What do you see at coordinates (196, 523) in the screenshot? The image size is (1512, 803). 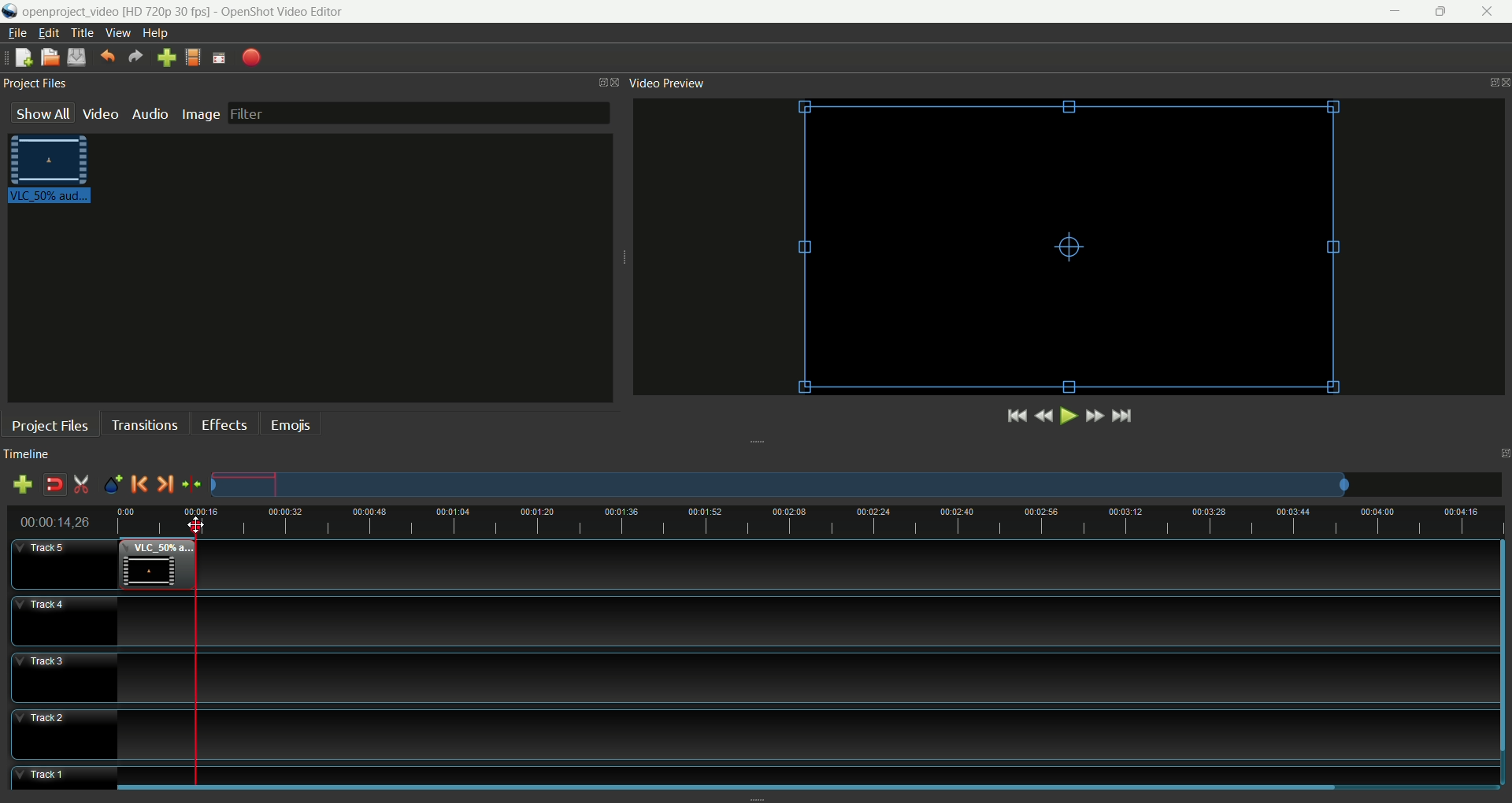 I see `cursor` at bounding box center [196, 523].